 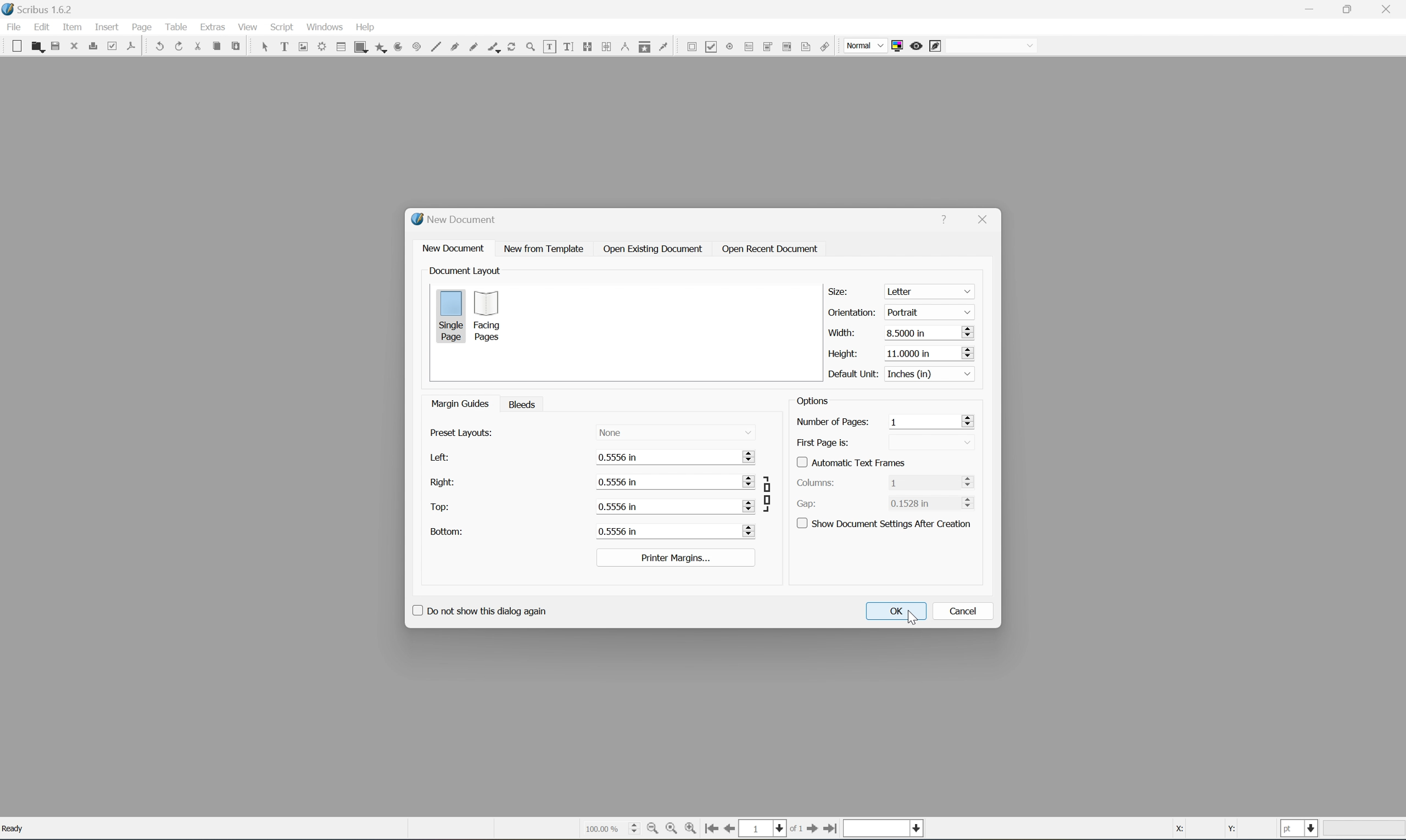 What do you see at coordinates (771, 248) in the screenshot?
I see `open recent document` at bounding box center [771, 248].